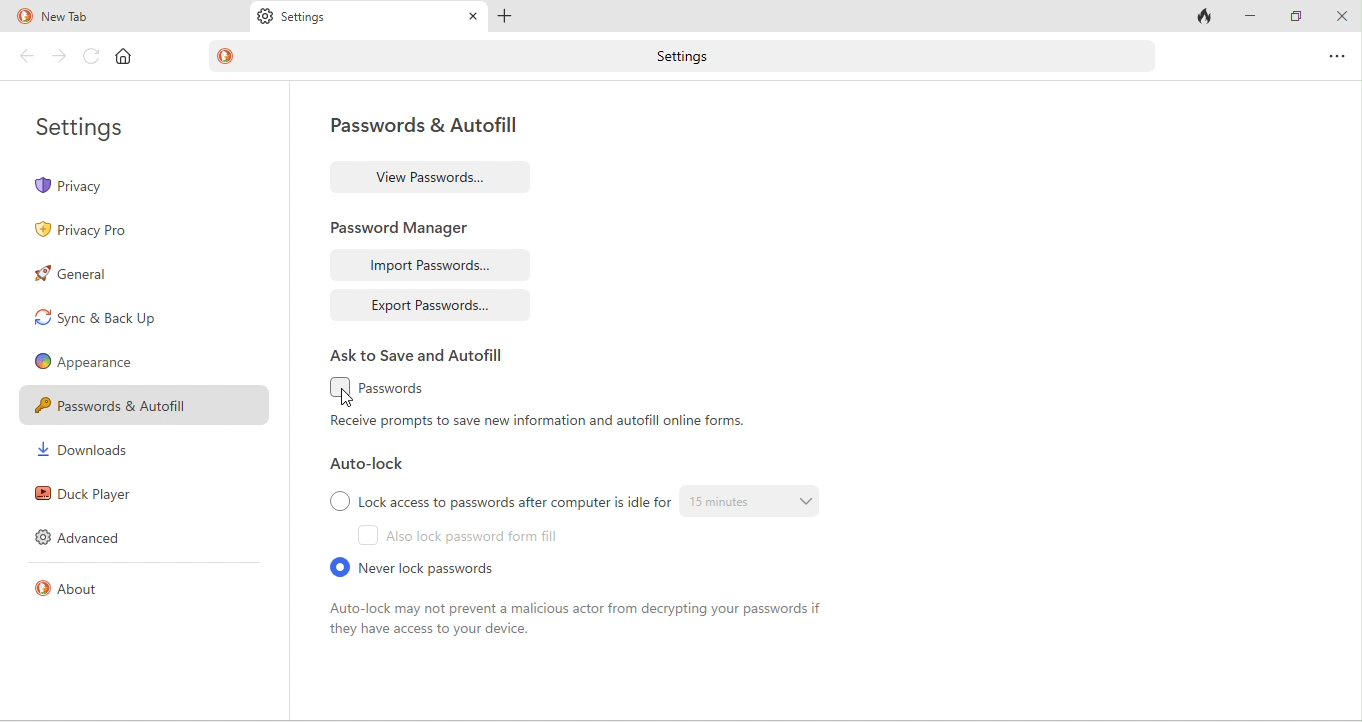 This screenshot has height=722, width=1362. I want to click on sync and back up, so click(109, 320).